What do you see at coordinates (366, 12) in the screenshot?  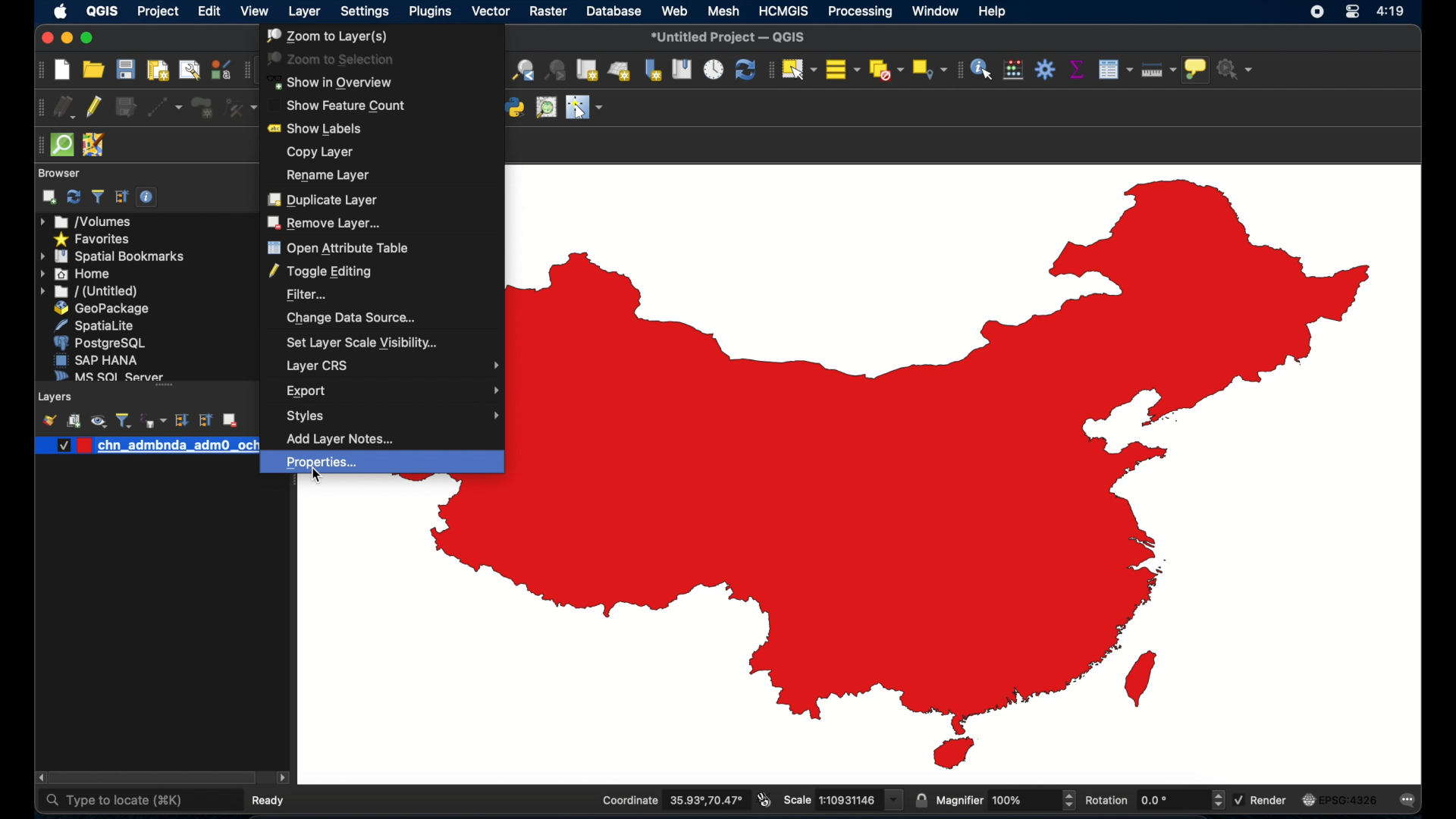 I see `settings` at bounding box center [366, 12].